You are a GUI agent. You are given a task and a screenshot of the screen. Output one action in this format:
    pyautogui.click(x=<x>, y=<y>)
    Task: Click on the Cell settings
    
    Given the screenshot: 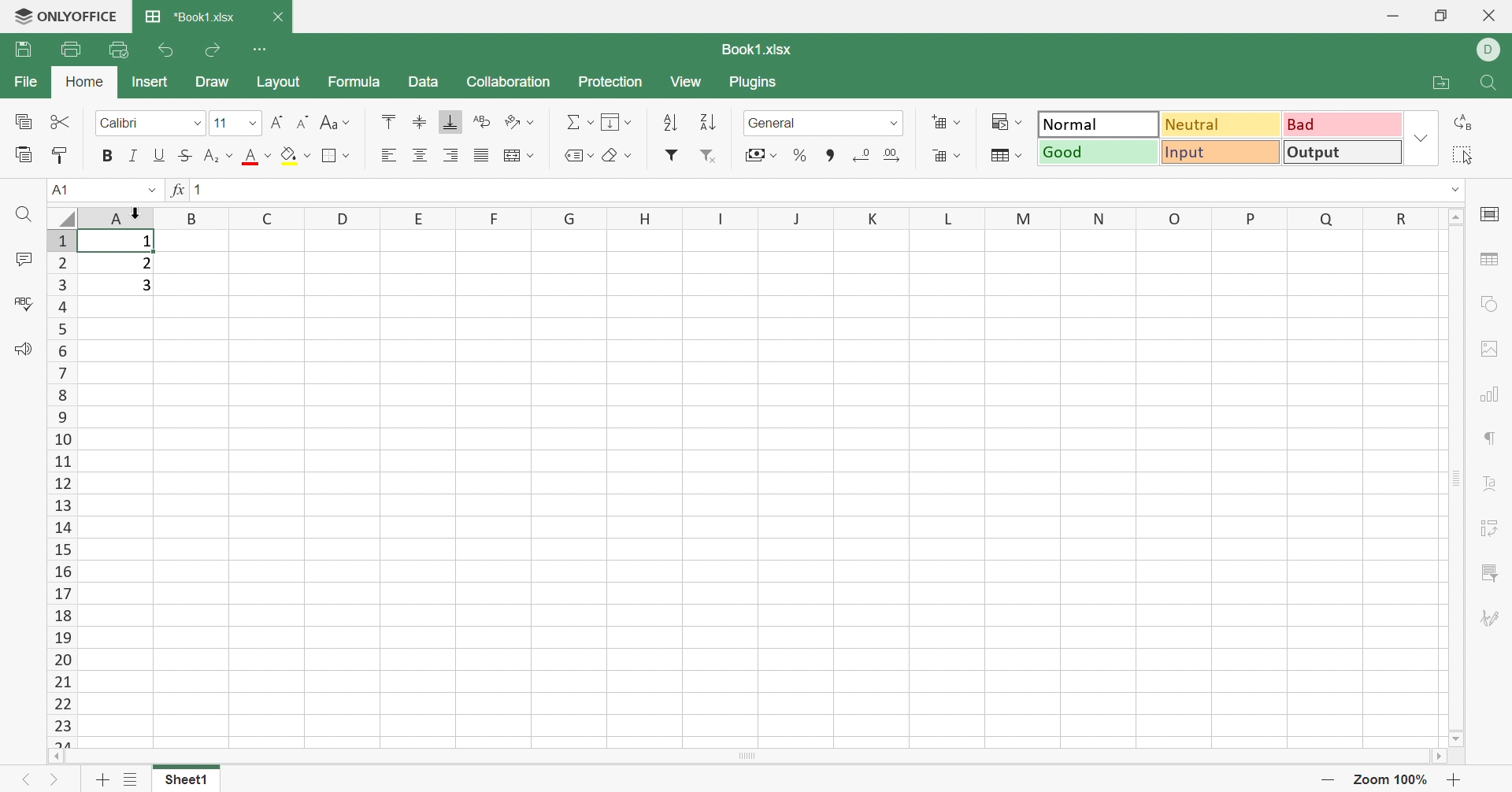 What is the action you would take?
    pyautogui.click(x=1492, y=213)
    